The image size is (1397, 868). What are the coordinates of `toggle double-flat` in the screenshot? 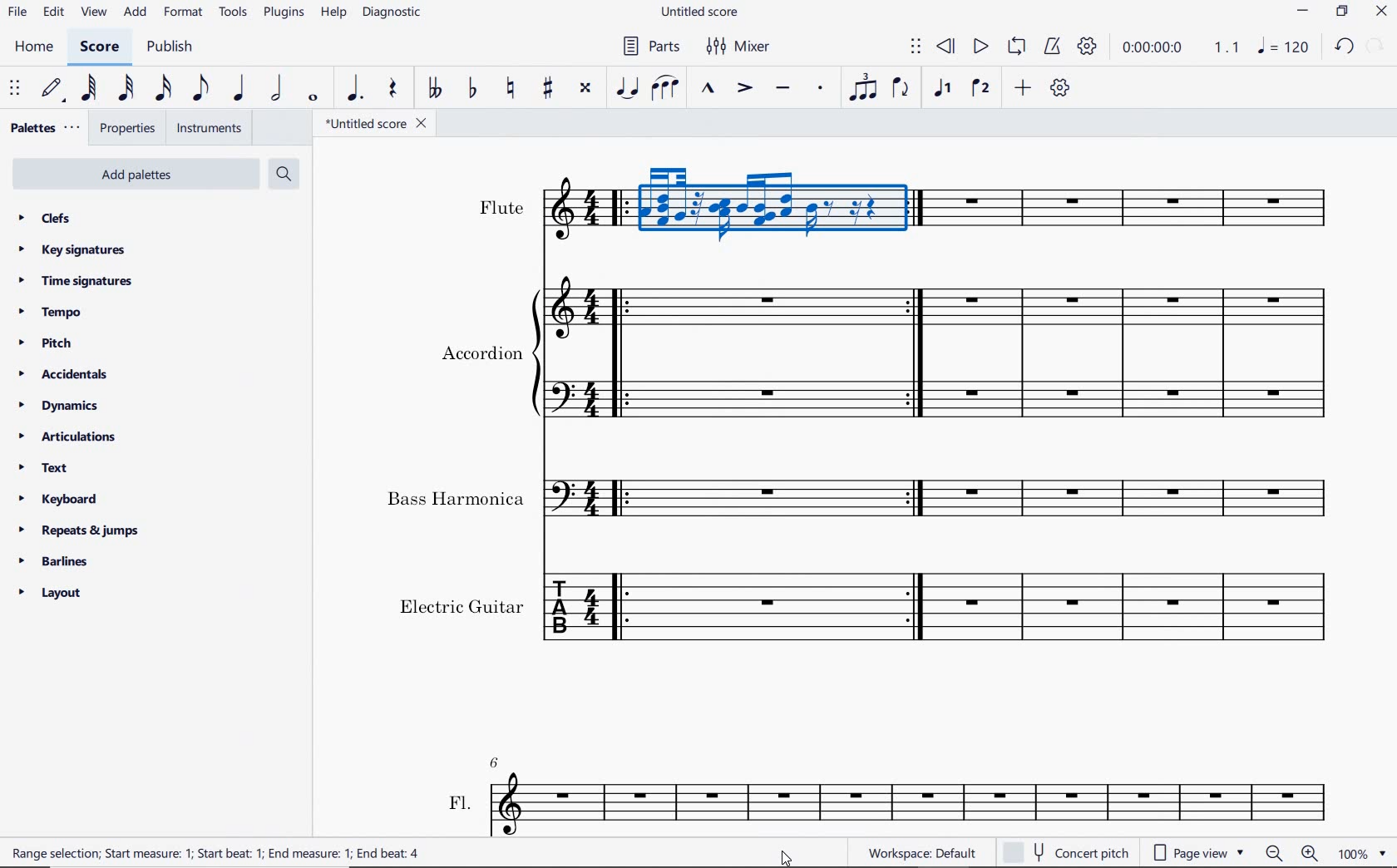 It's located at (434, 89).